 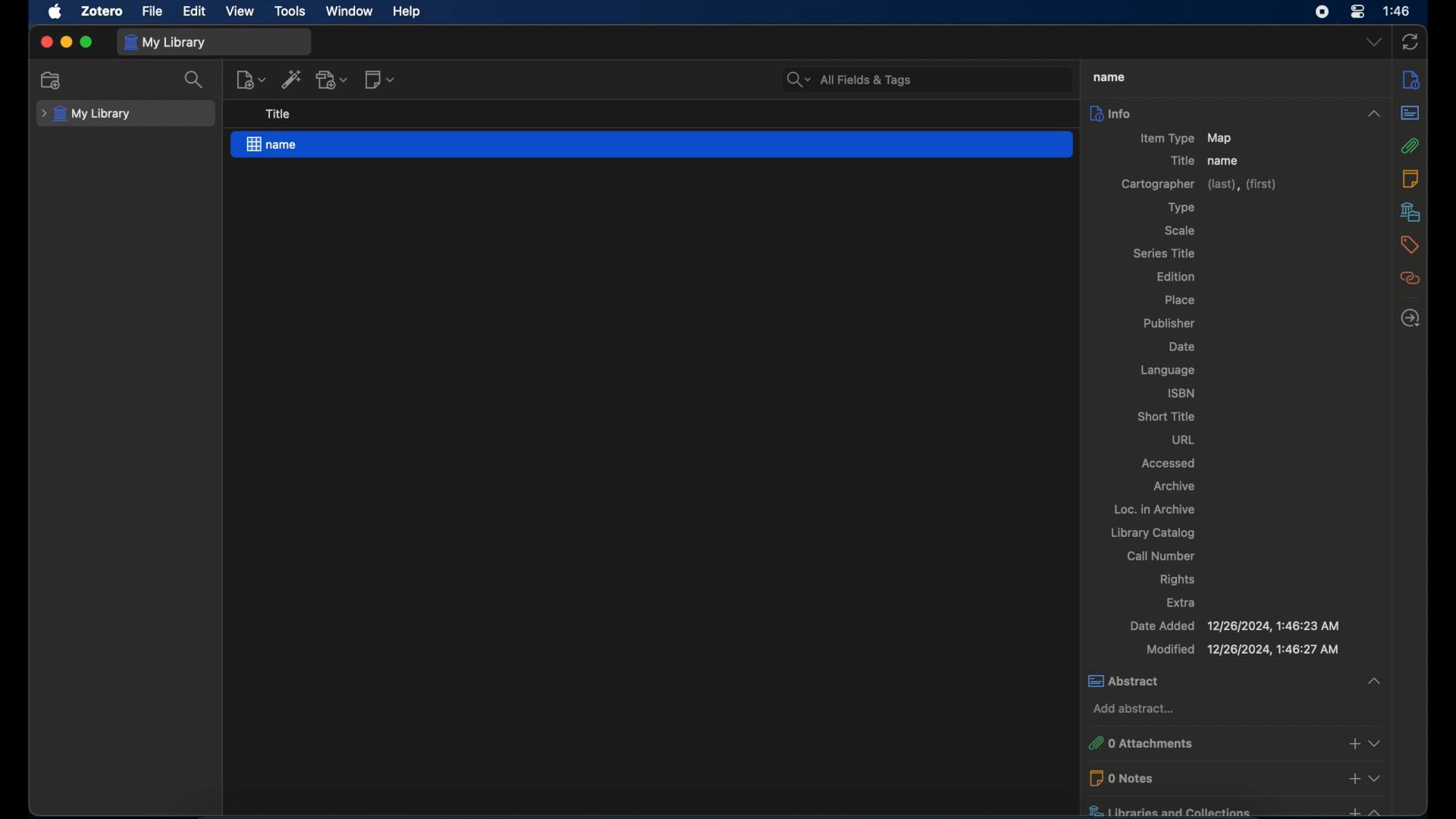 What do you see at coordinates (1178, 579) in the screenshot?
I see `rights` at bounding box center [1178, 579].